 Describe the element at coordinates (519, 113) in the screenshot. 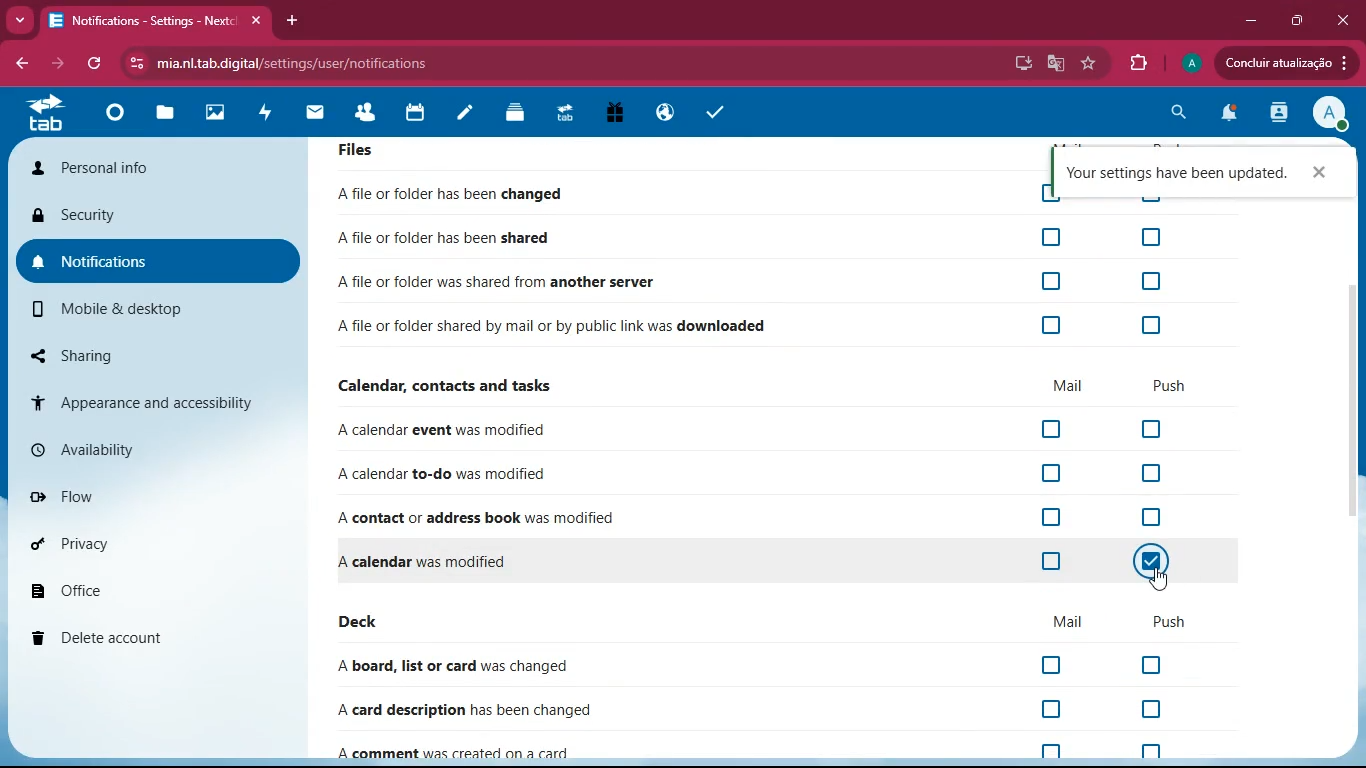

I see `layers` at that location.